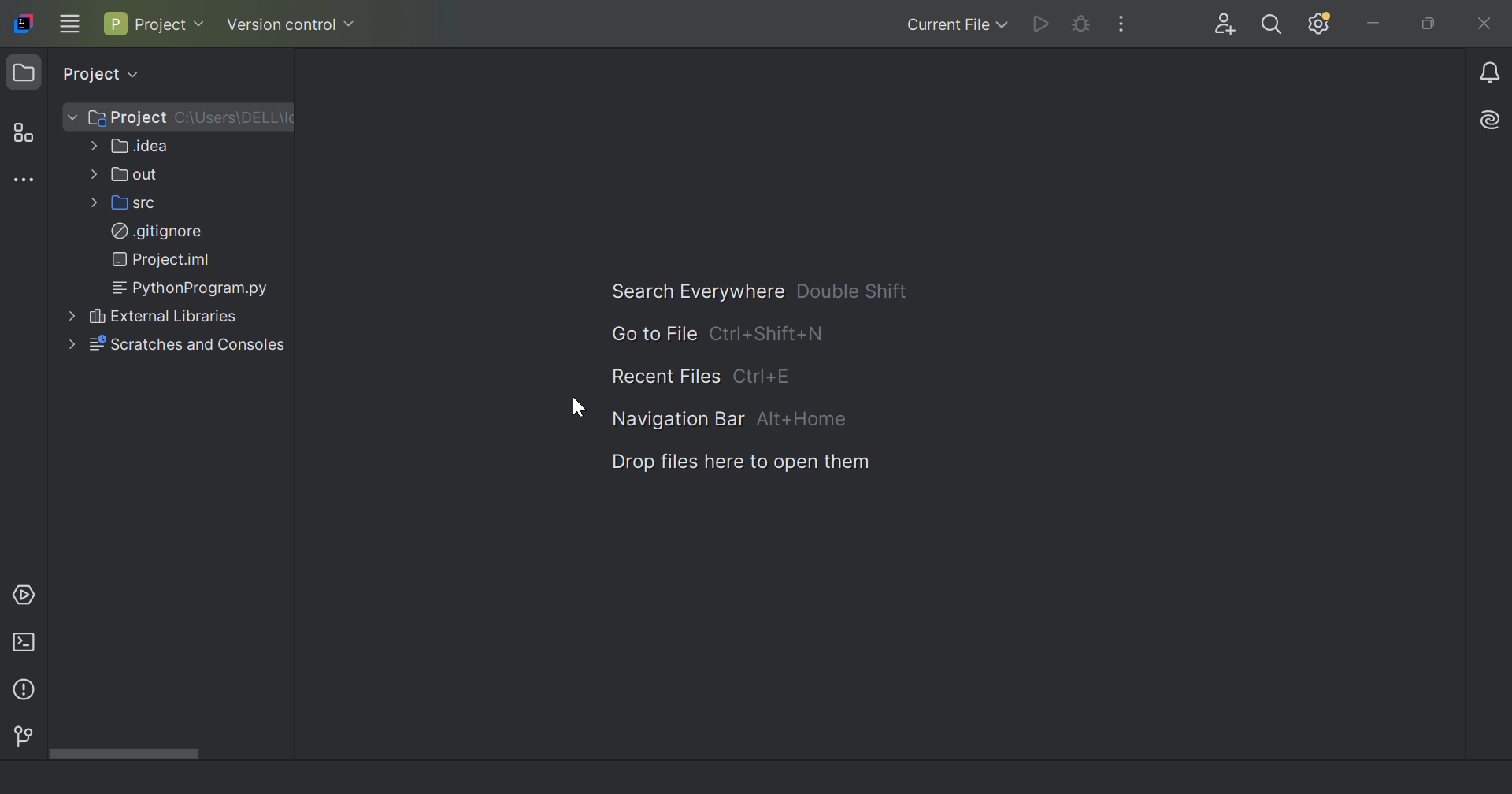  I want to click on .idea, so click(132, 149).